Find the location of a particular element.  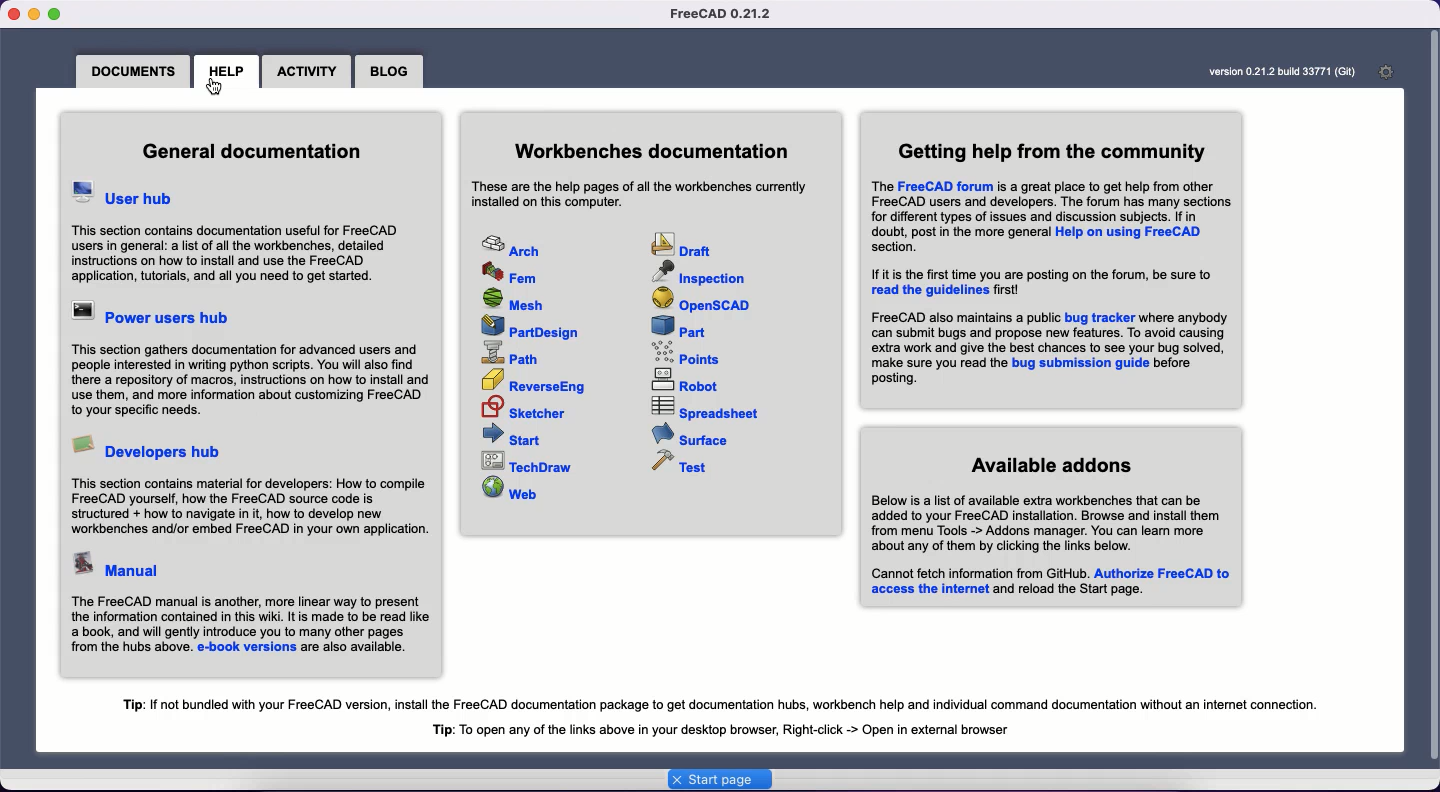

Developers hub is located at coordinates (243, 485).